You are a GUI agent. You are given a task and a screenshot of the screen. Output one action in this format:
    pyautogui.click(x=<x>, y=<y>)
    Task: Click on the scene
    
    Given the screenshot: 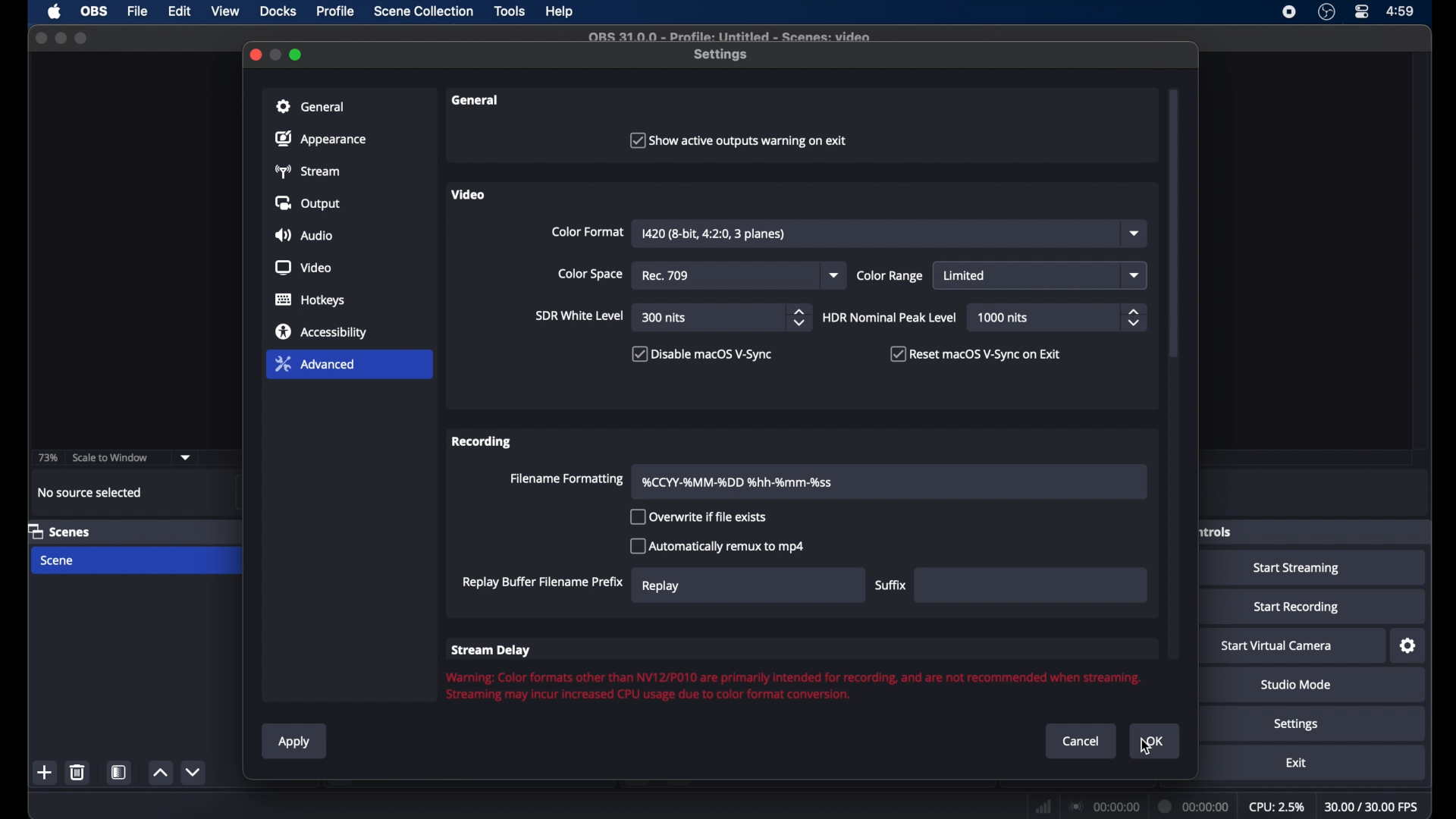 What is the action you would take?
    pyautogui.click(x=58, y=560)
    